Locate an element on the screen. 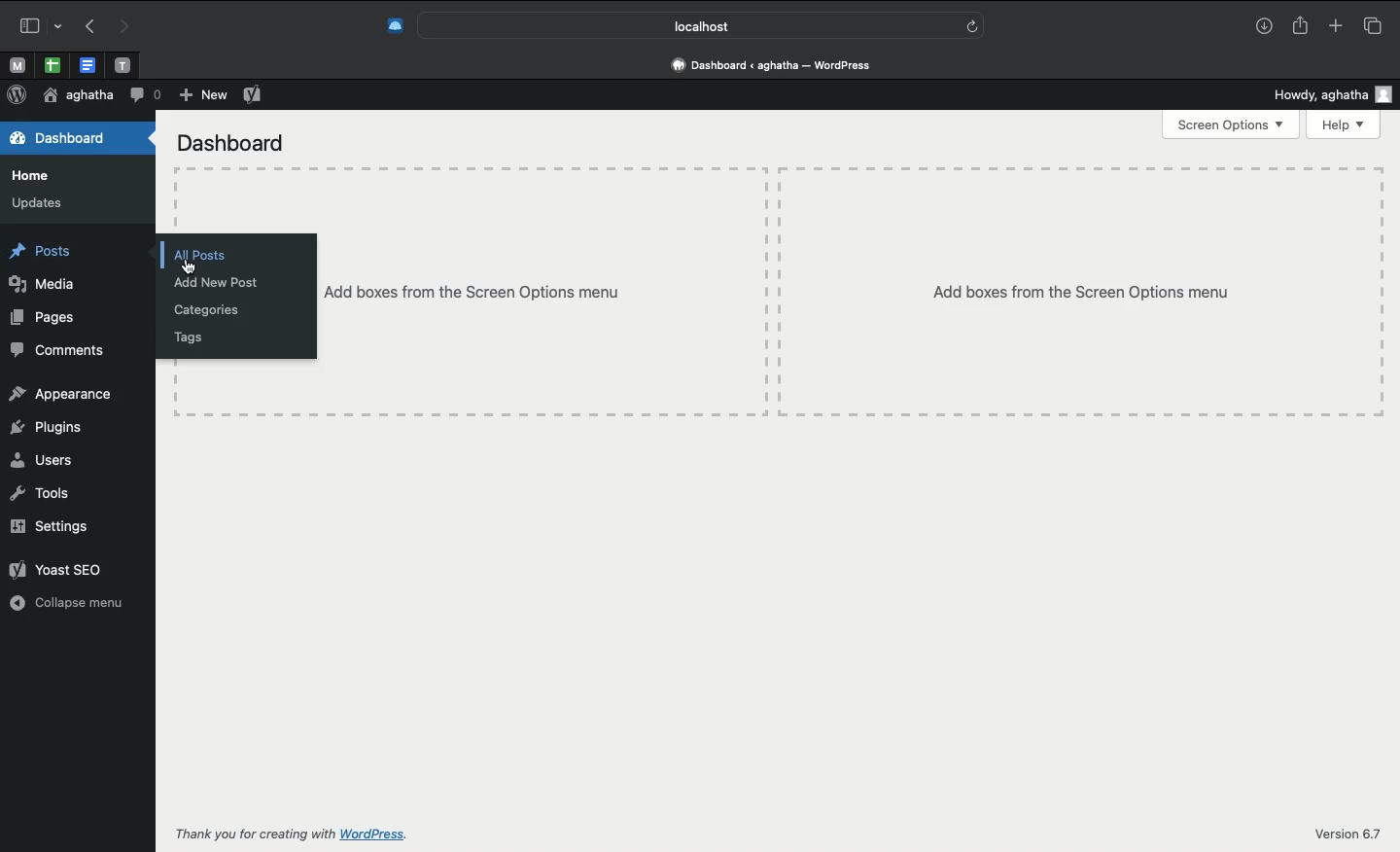 The image size is (1400, 852). Yoast  is located at coordinates (253, 95).